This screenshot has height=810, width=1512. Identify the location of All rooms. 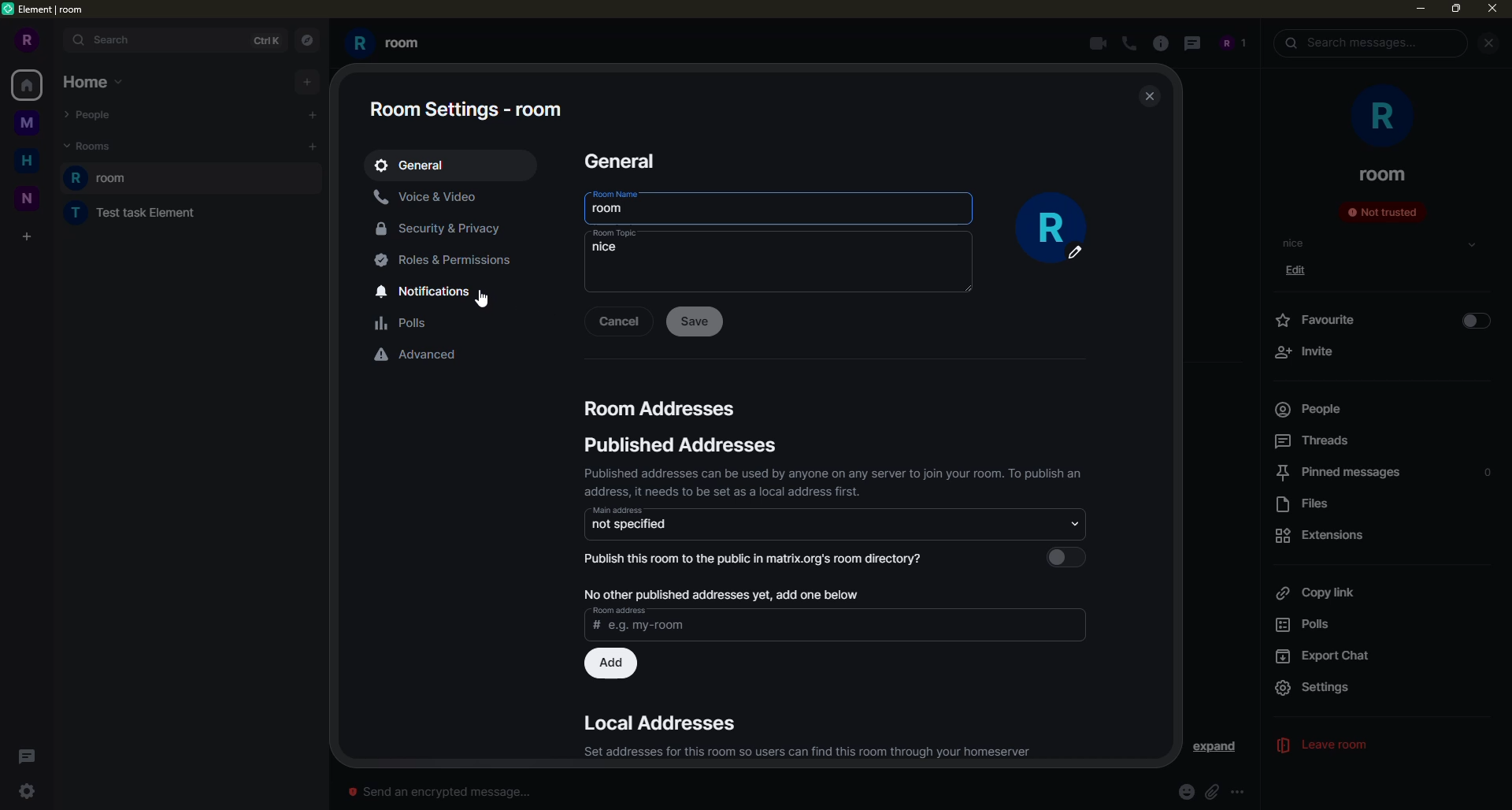
(27, 86).